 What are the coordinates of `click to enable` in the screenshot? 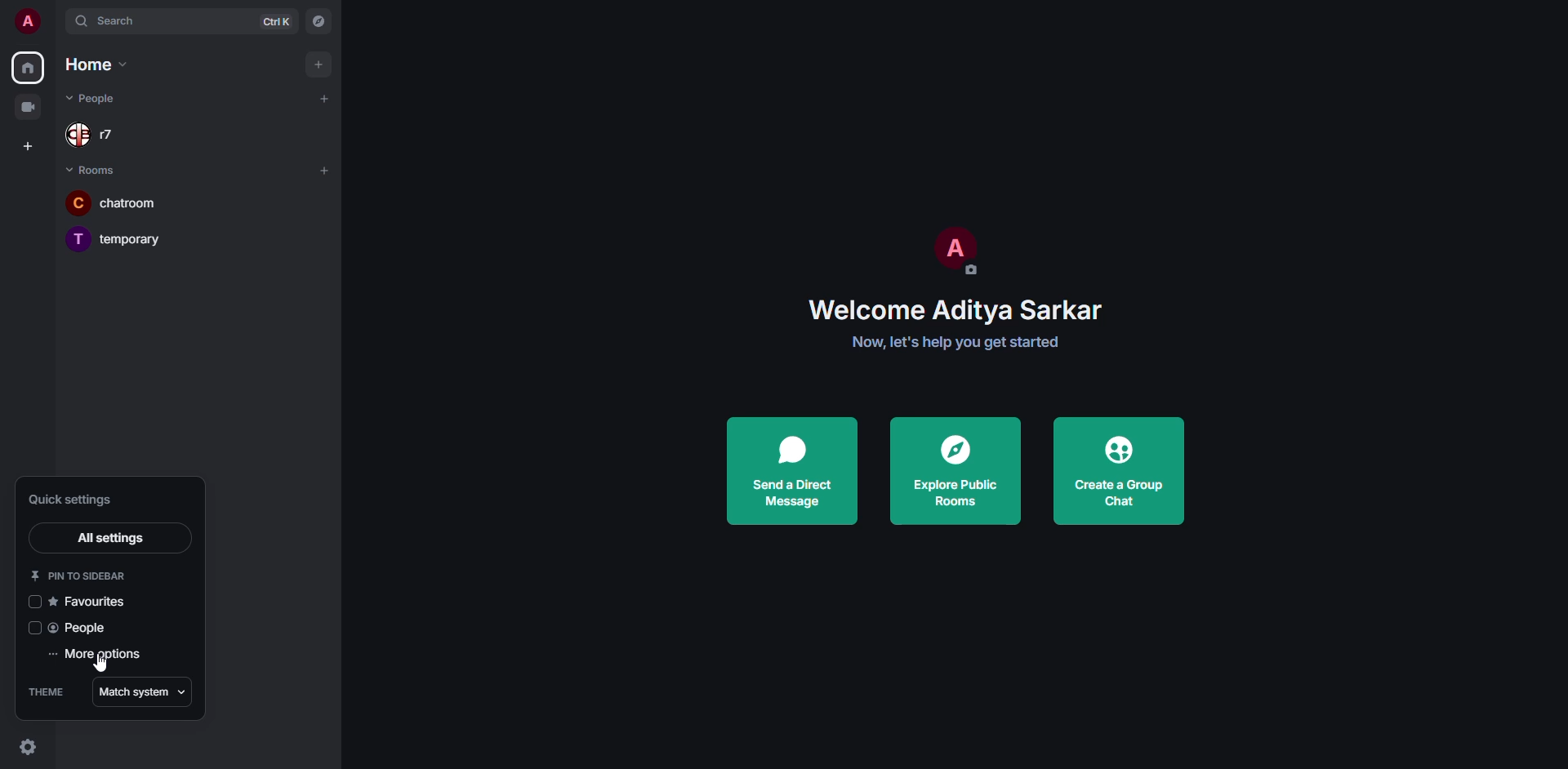 It's located at (28, 629).